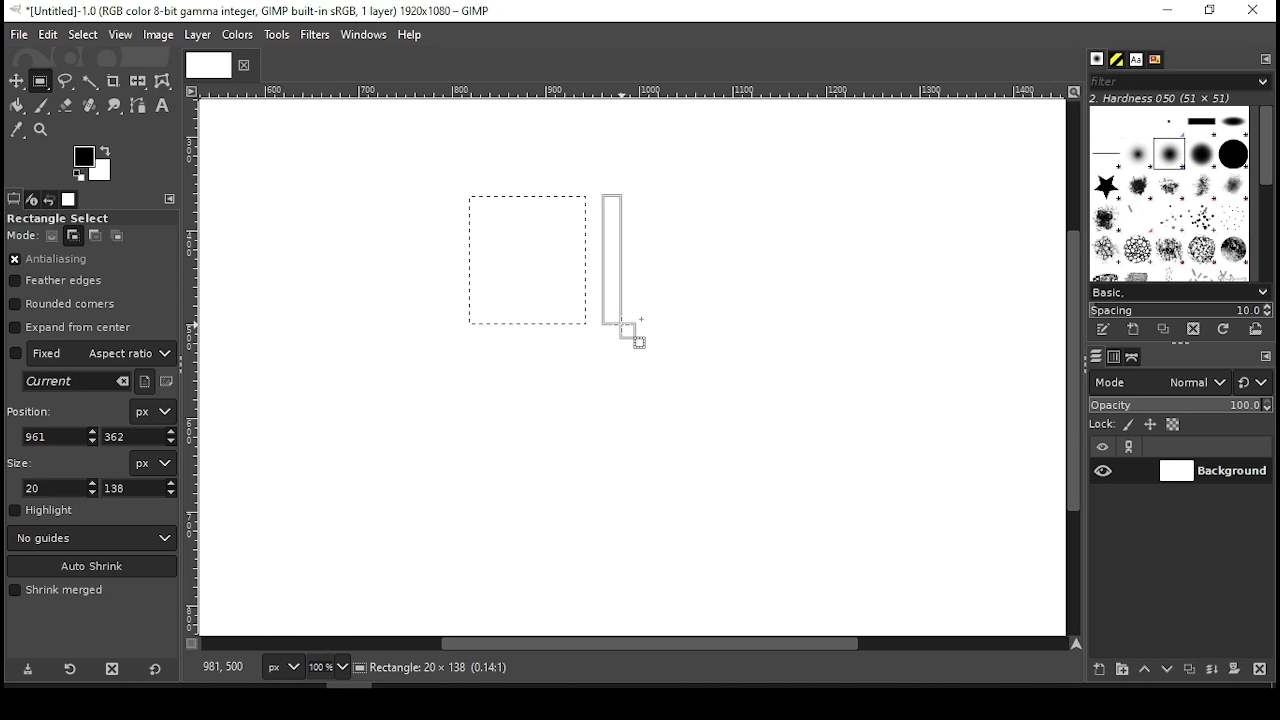 This screenshot has width=1280, height=720. What do you see at coordinates (365, 36) in the screenshot?
I see `windows` at bounding box center [365, 36].